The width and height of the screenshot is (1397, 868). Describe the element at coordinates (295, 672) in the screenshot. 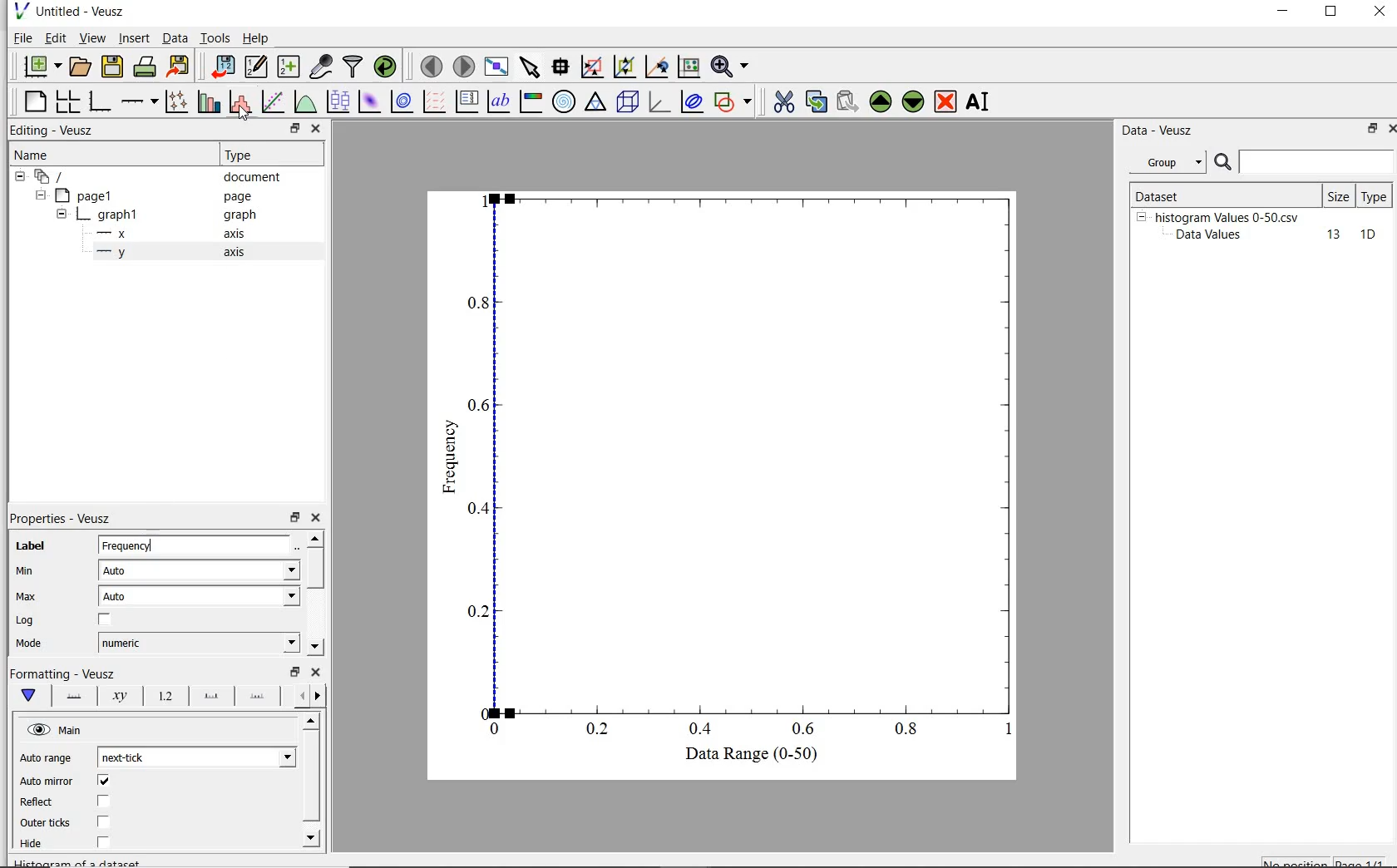

I see `restore down` at that location.